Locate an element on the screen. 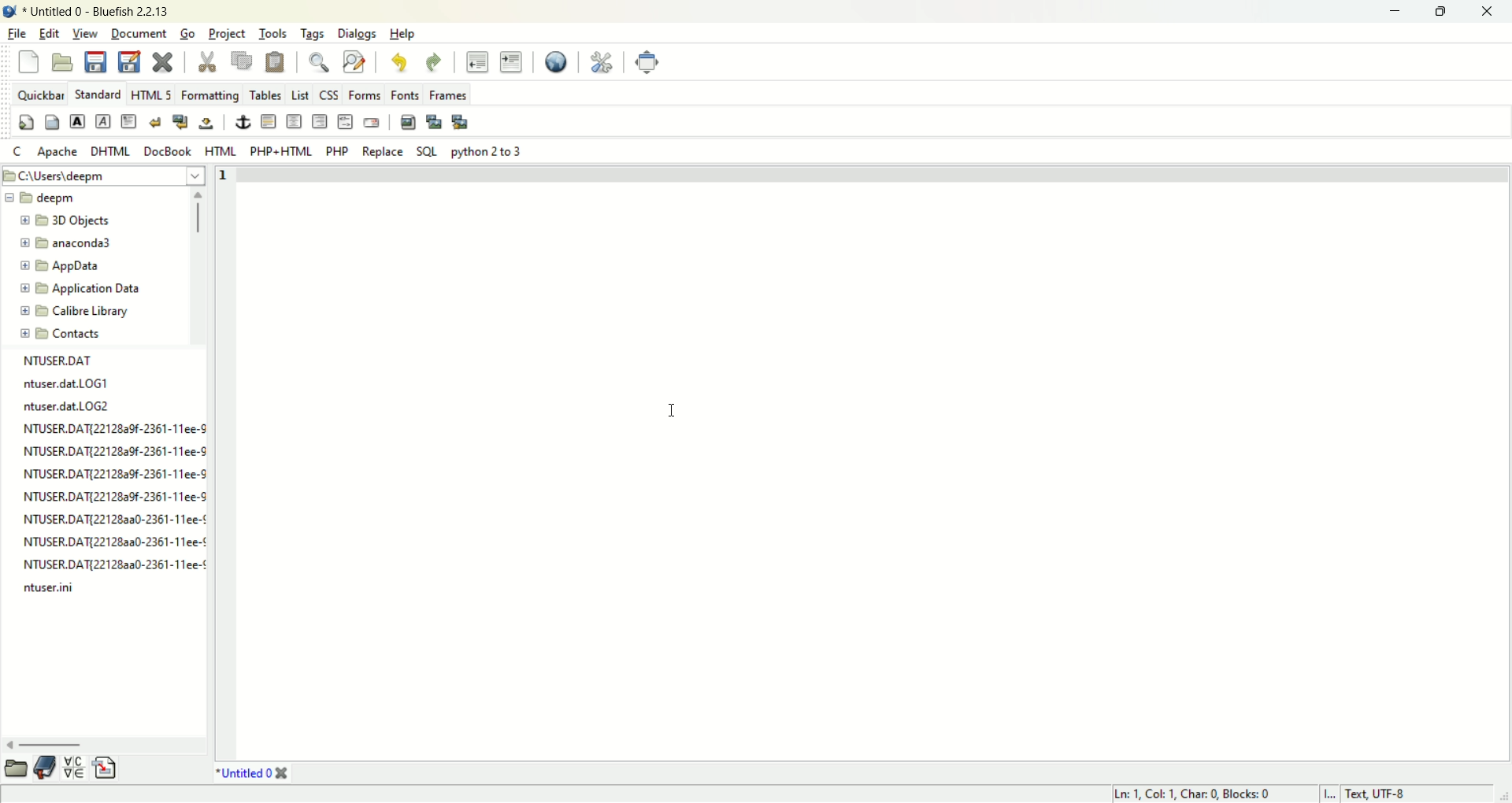 The image size is (1512, 803). folder name is located at coordinates (76, 311).